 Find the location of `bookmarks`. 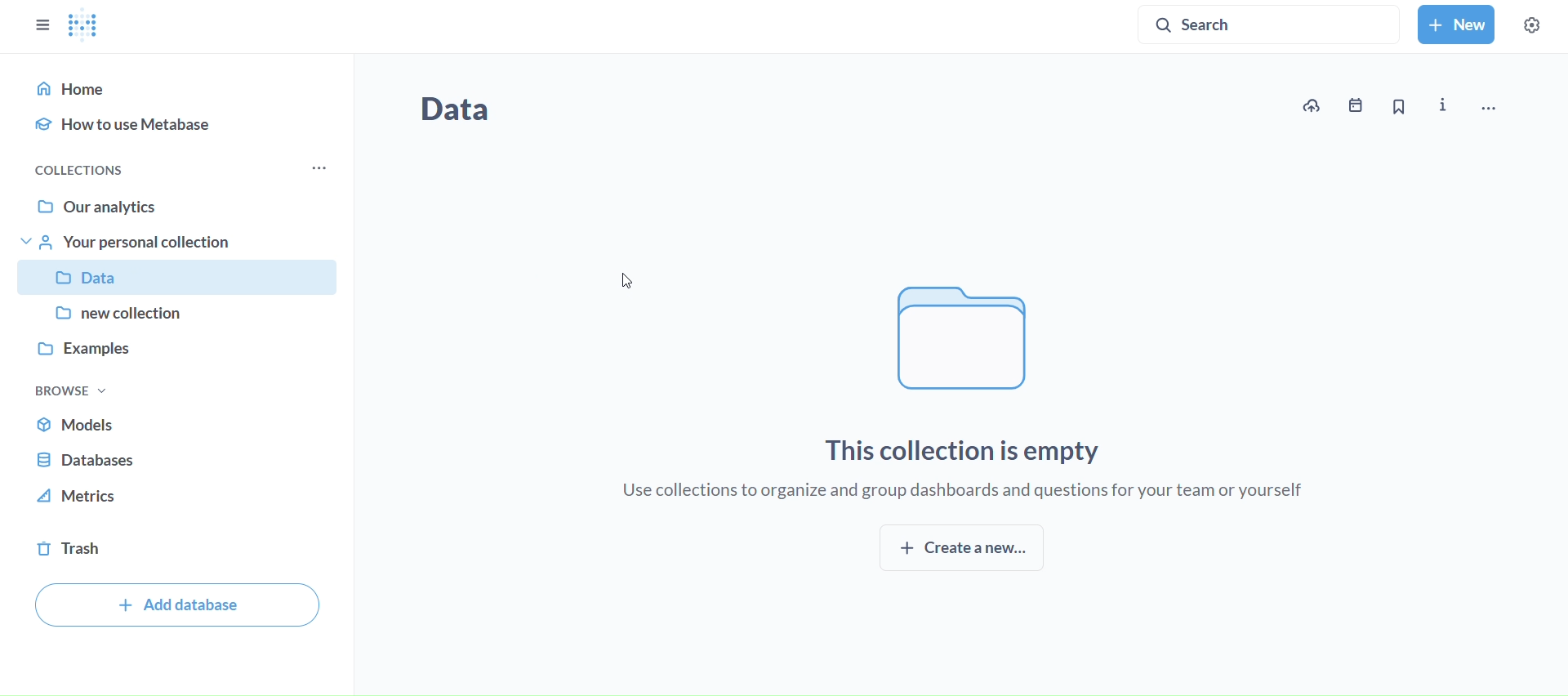

bookmarks is located at coordinates (1396, 107).